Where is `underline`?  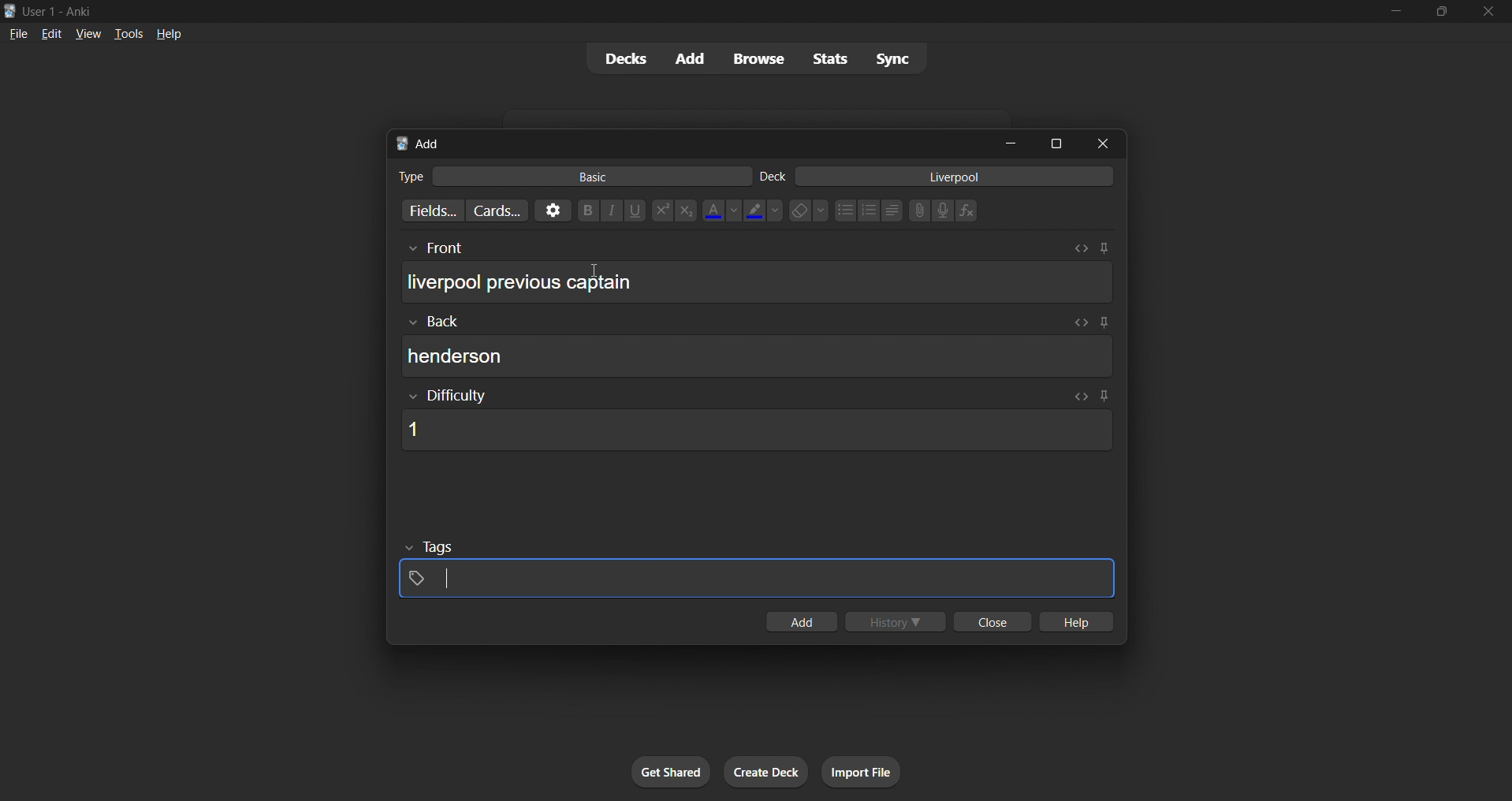
underline is located at coordinates (637, 210).